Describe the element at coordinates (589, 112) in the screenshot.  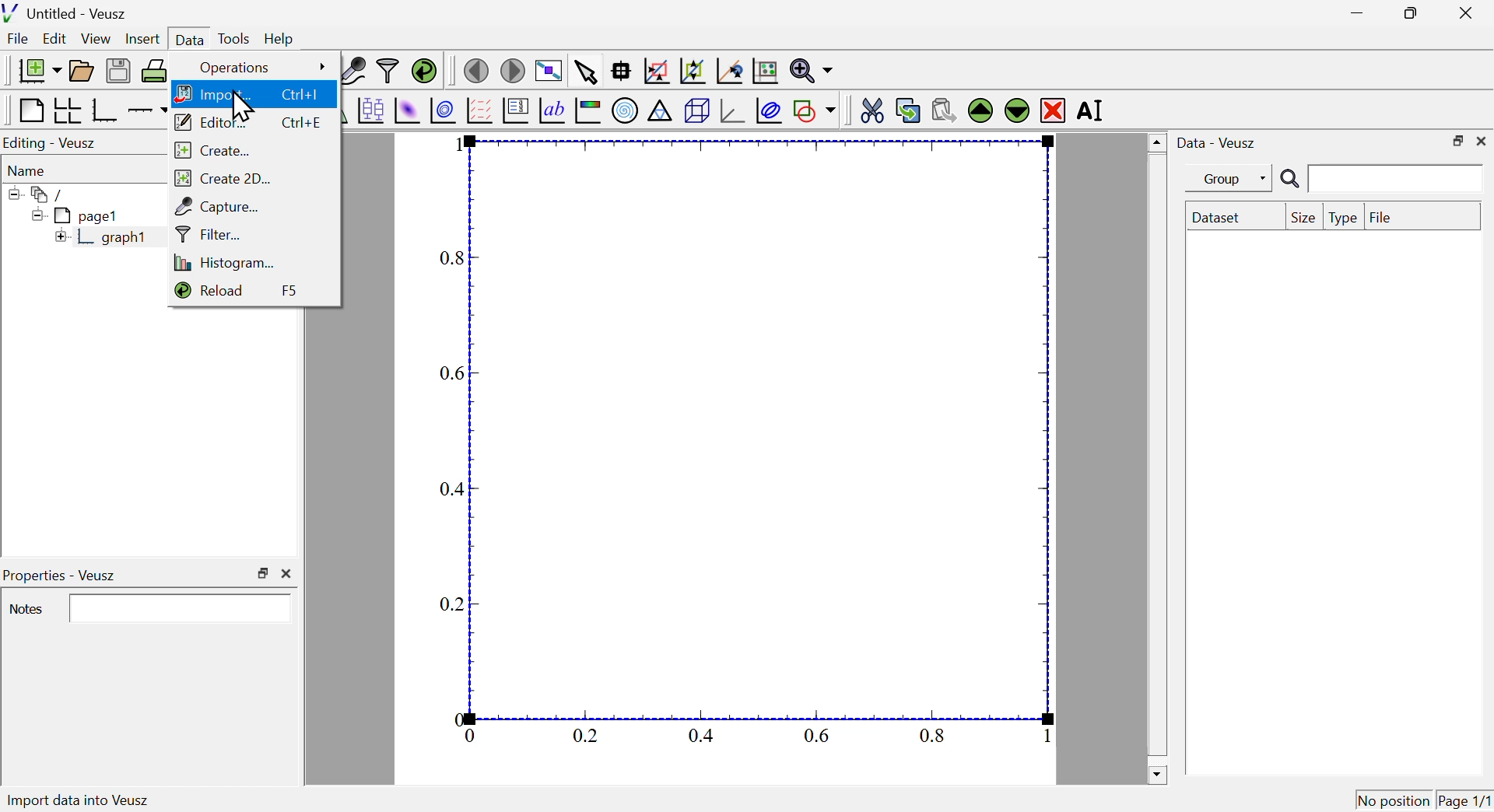
I see `image color bar` at that location.